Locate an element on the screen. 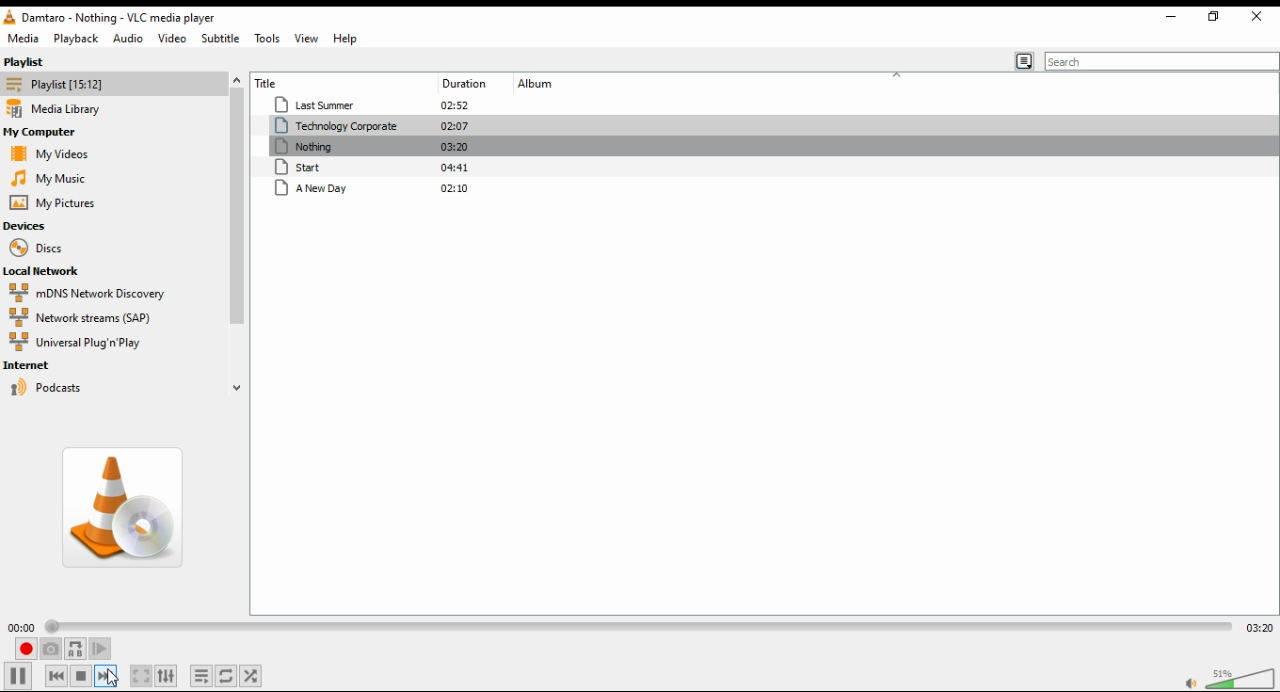 This screenshot has height=692, width=1280. loop between point A and point B continuously is located at coordinates (77, 649).